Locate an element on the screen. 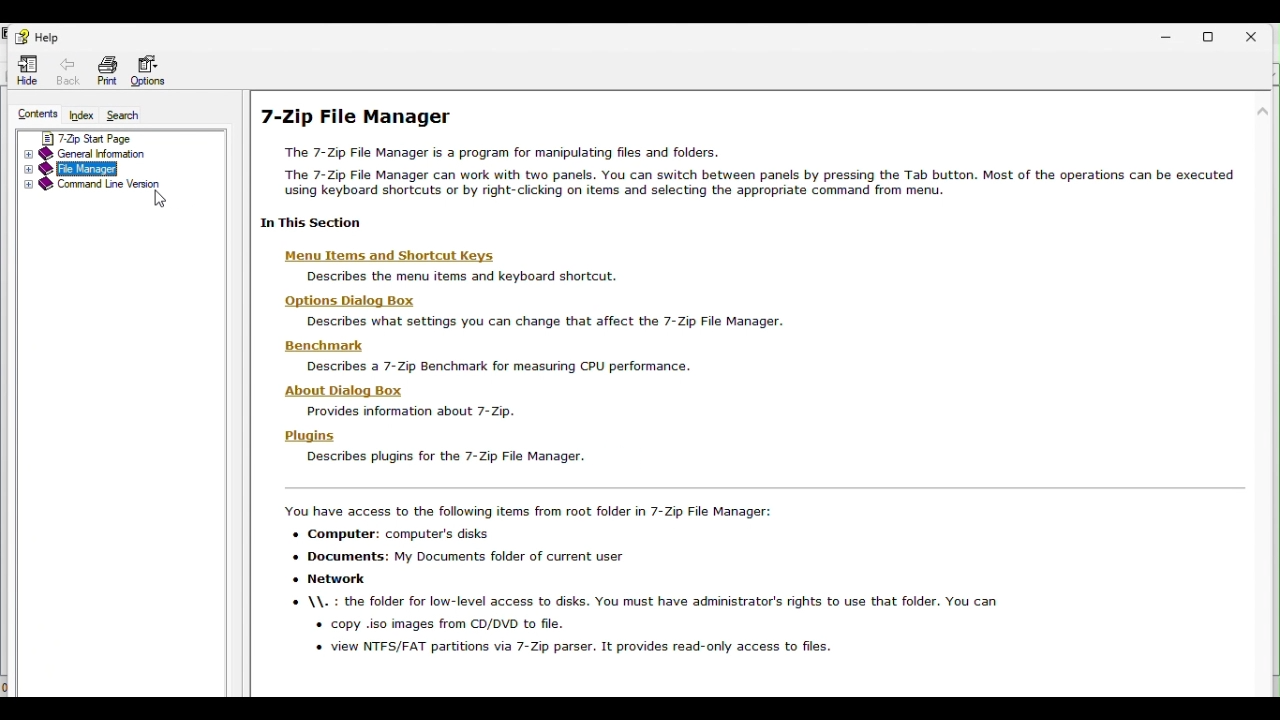  help is located at coordinates (36, 37).